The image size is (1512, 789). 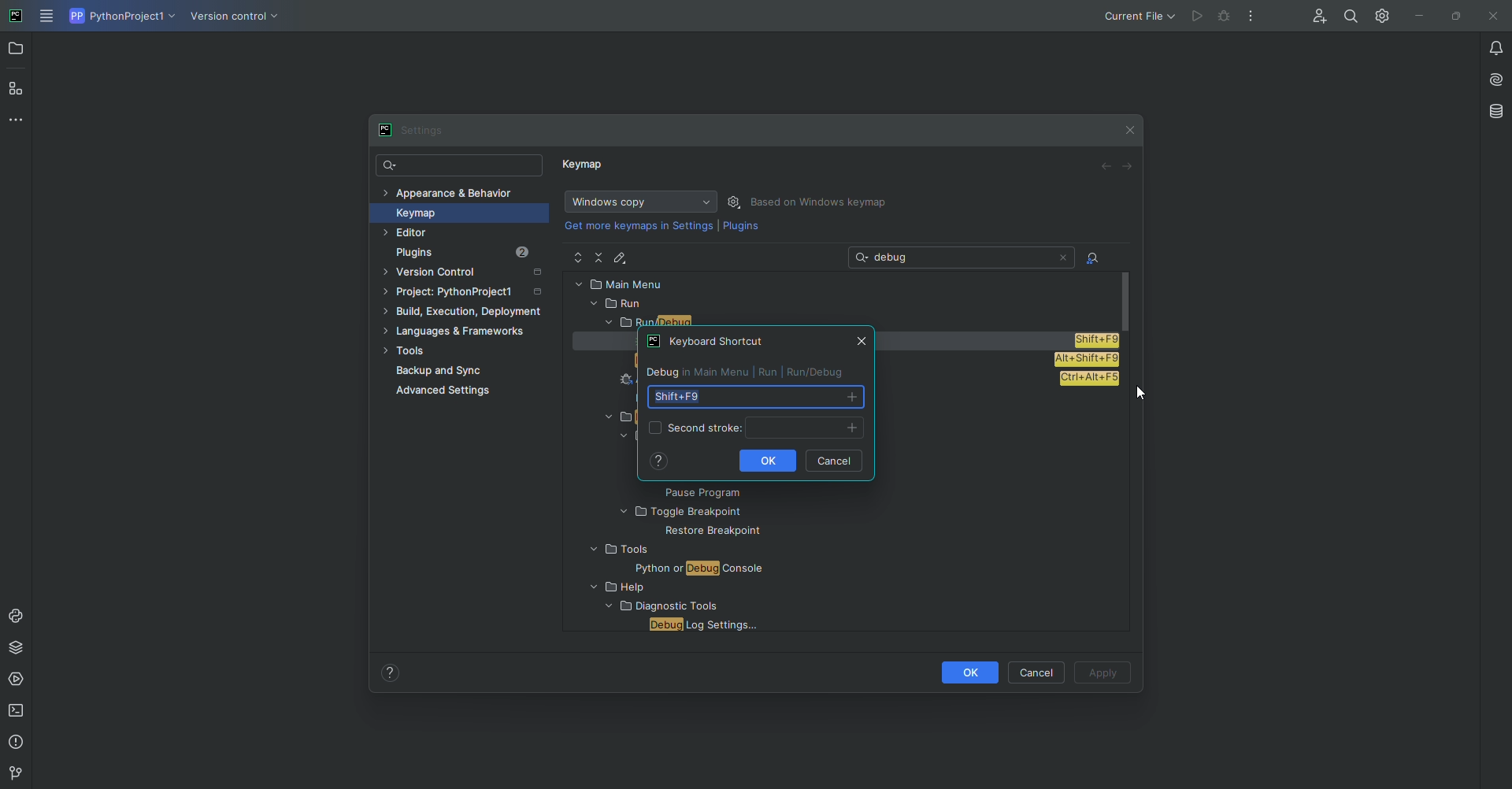 I want to click on Backup and Sync, so click(x=471, y=371).